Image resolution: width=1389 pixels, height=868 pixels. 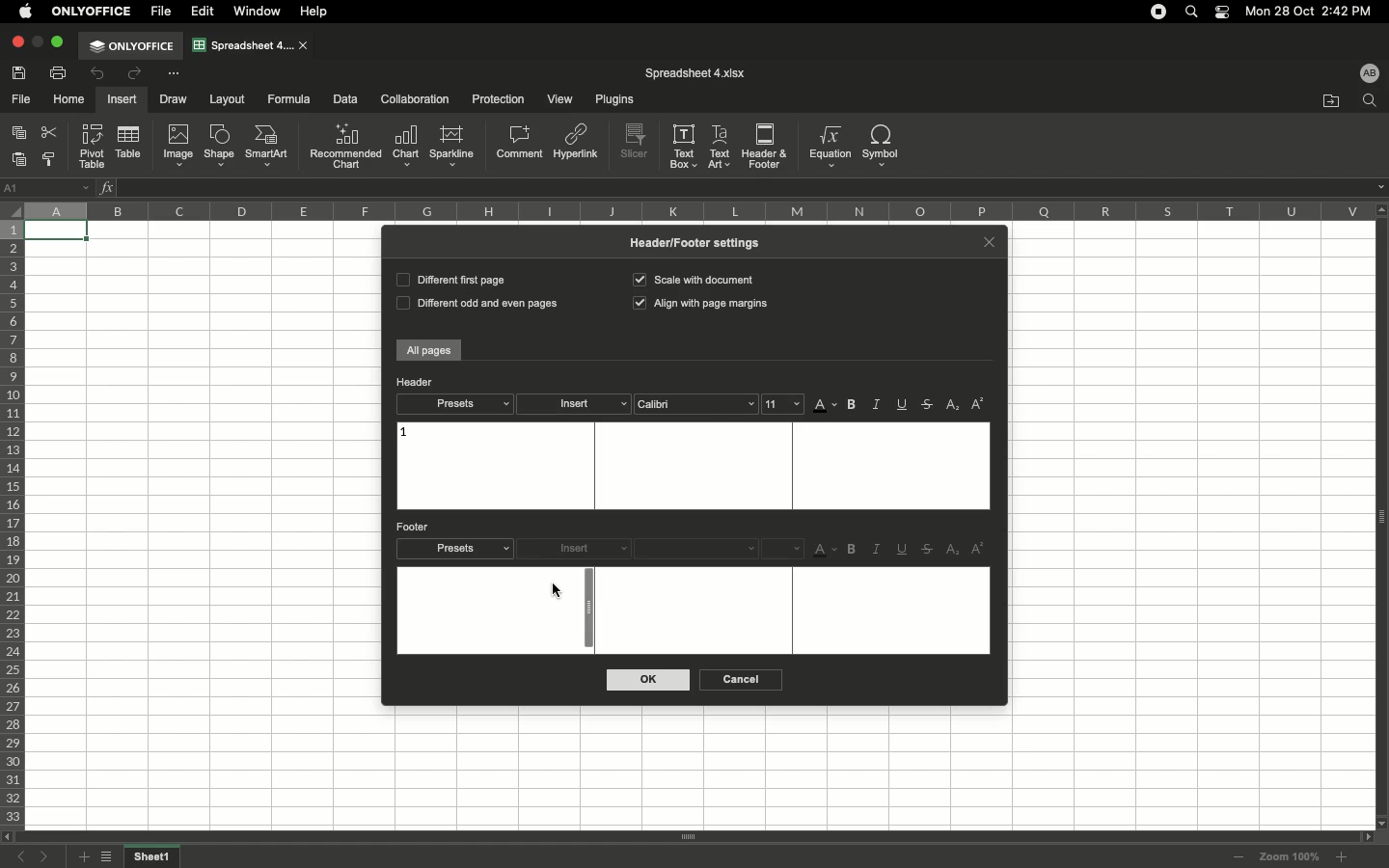 I want to click on Chart, so click(x=406, y=147).